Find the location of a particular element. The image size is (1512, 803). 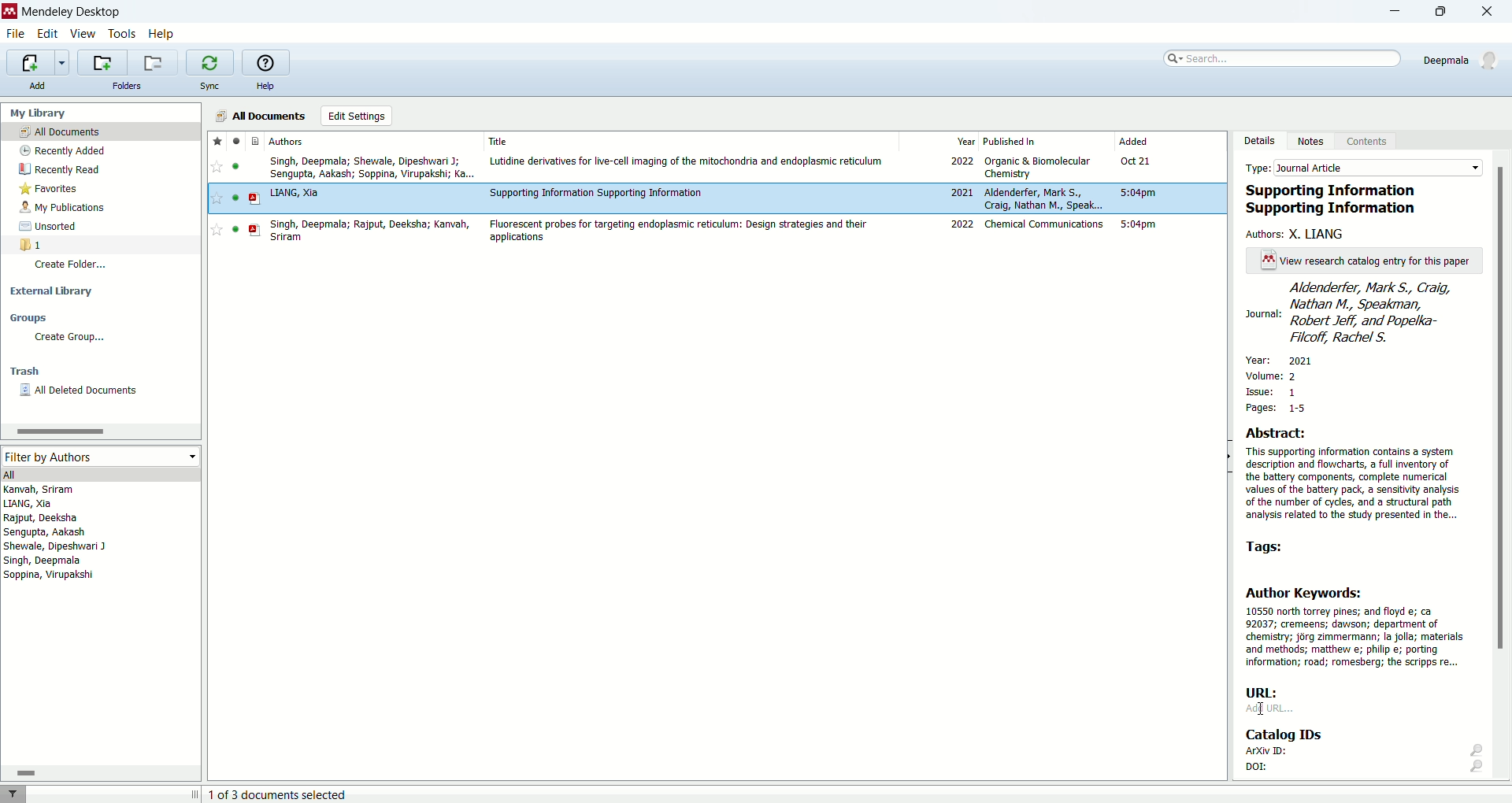

PDF is located at coordinates (254, 198).